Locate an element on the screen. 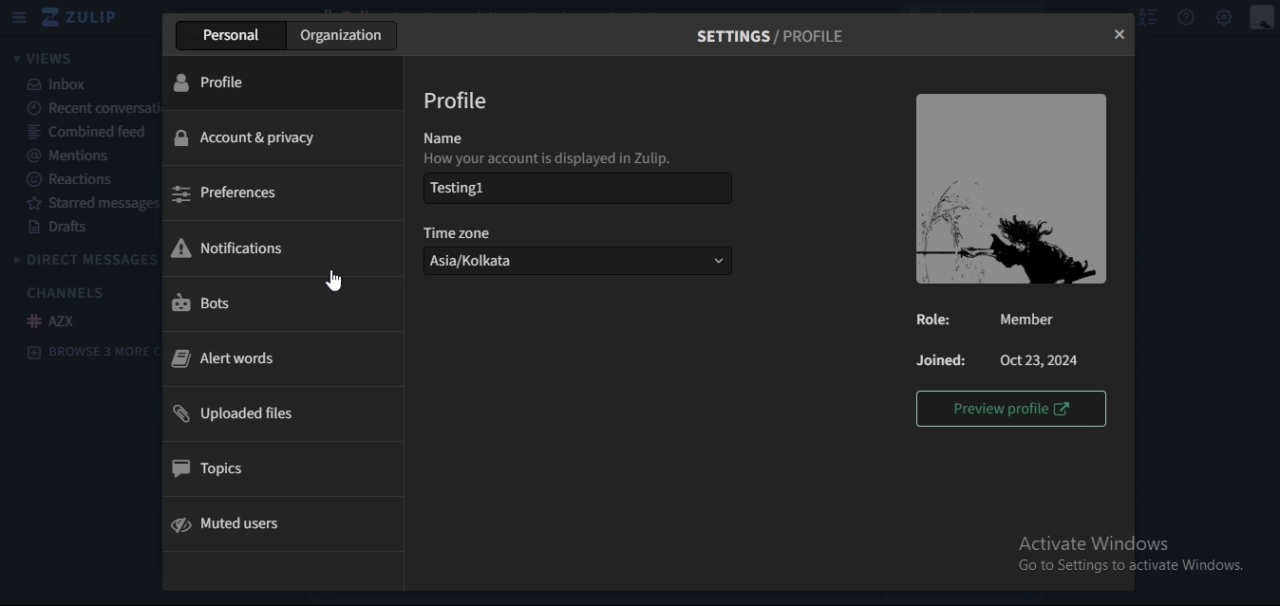  channels is located at coordinates (62, 288).